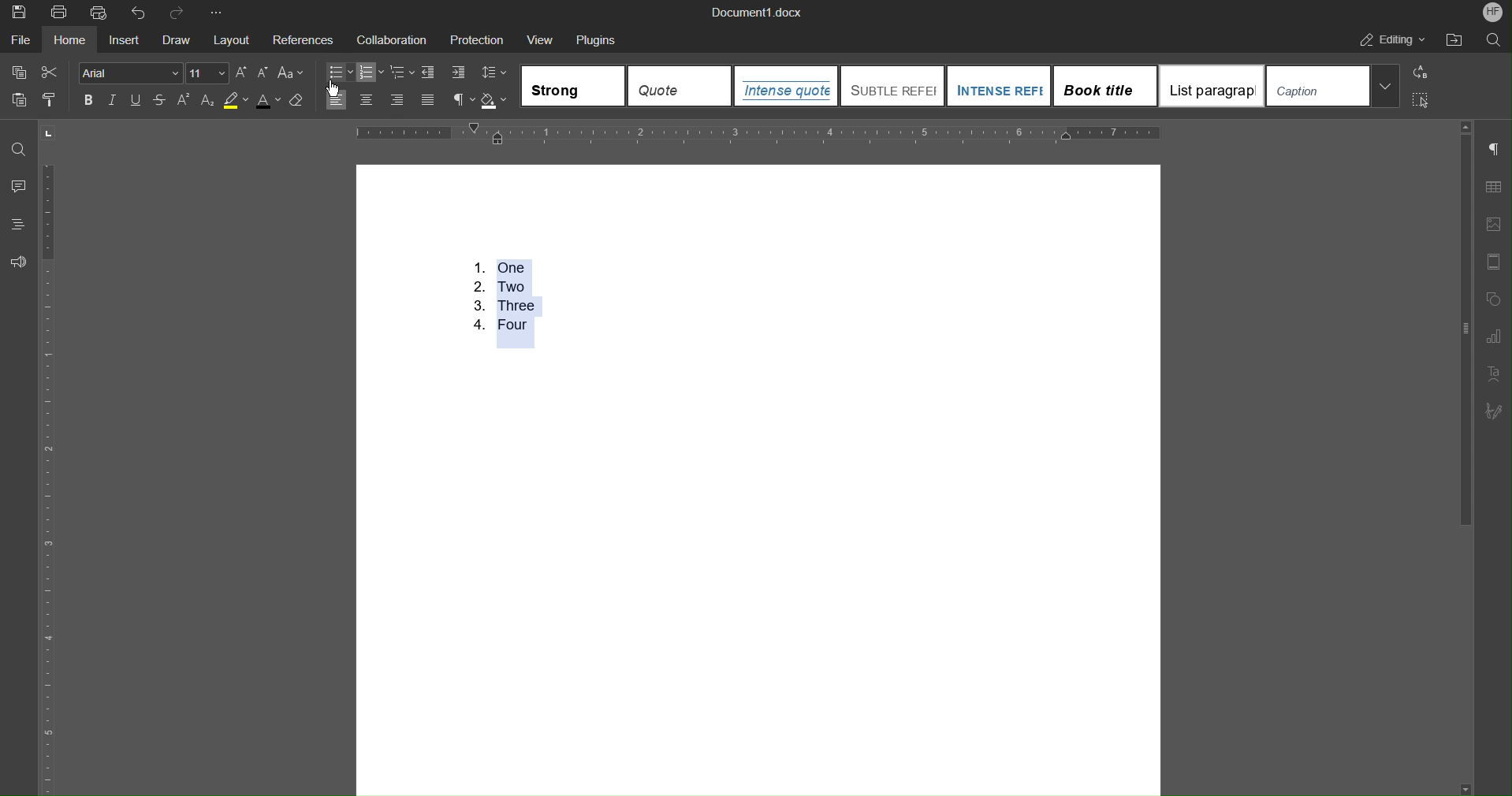  I want to click on Home, so click(73, 38).